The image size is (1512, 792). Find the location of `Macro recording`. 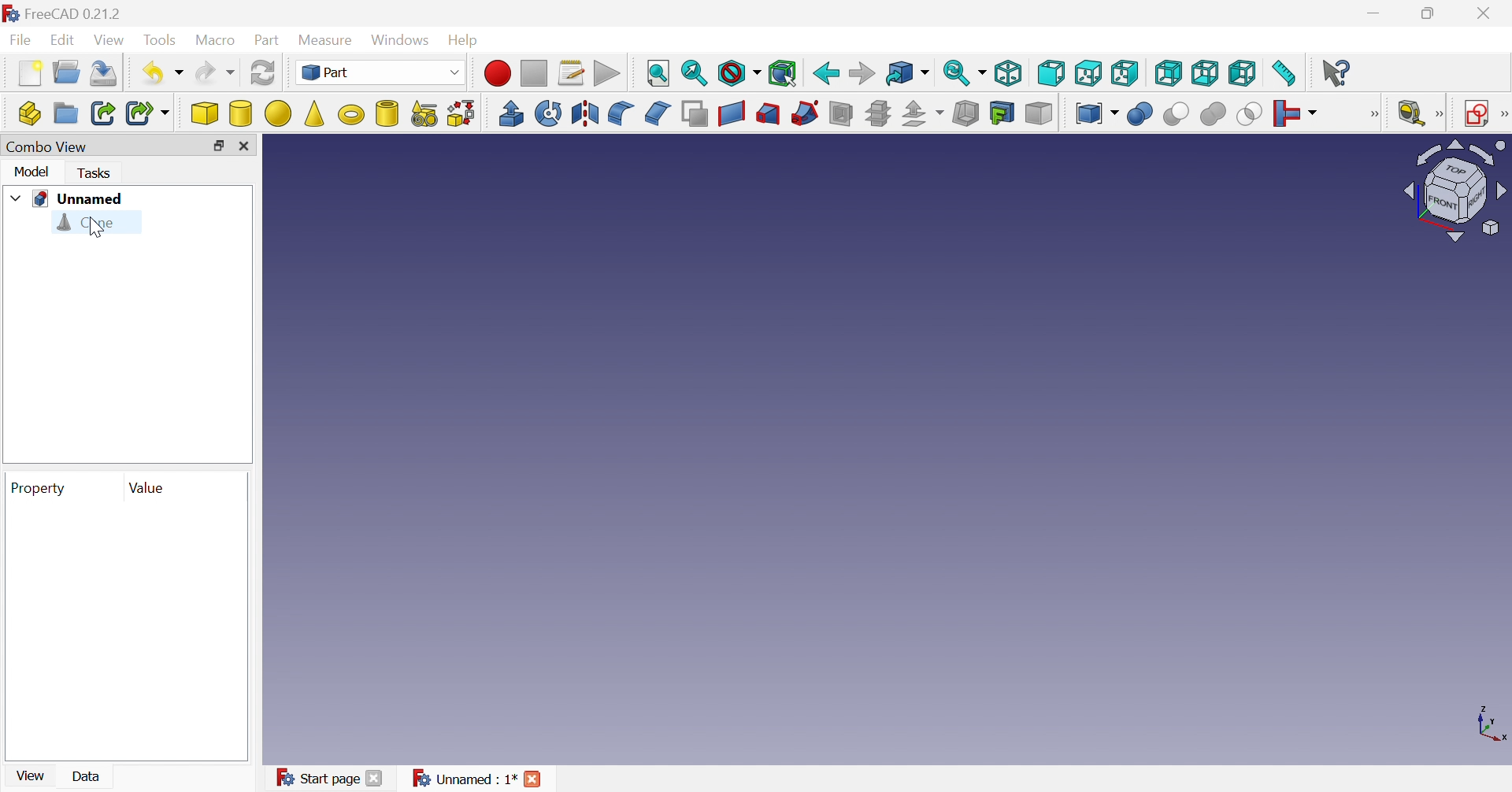

Macro recording is located at coordinates (498, 73).